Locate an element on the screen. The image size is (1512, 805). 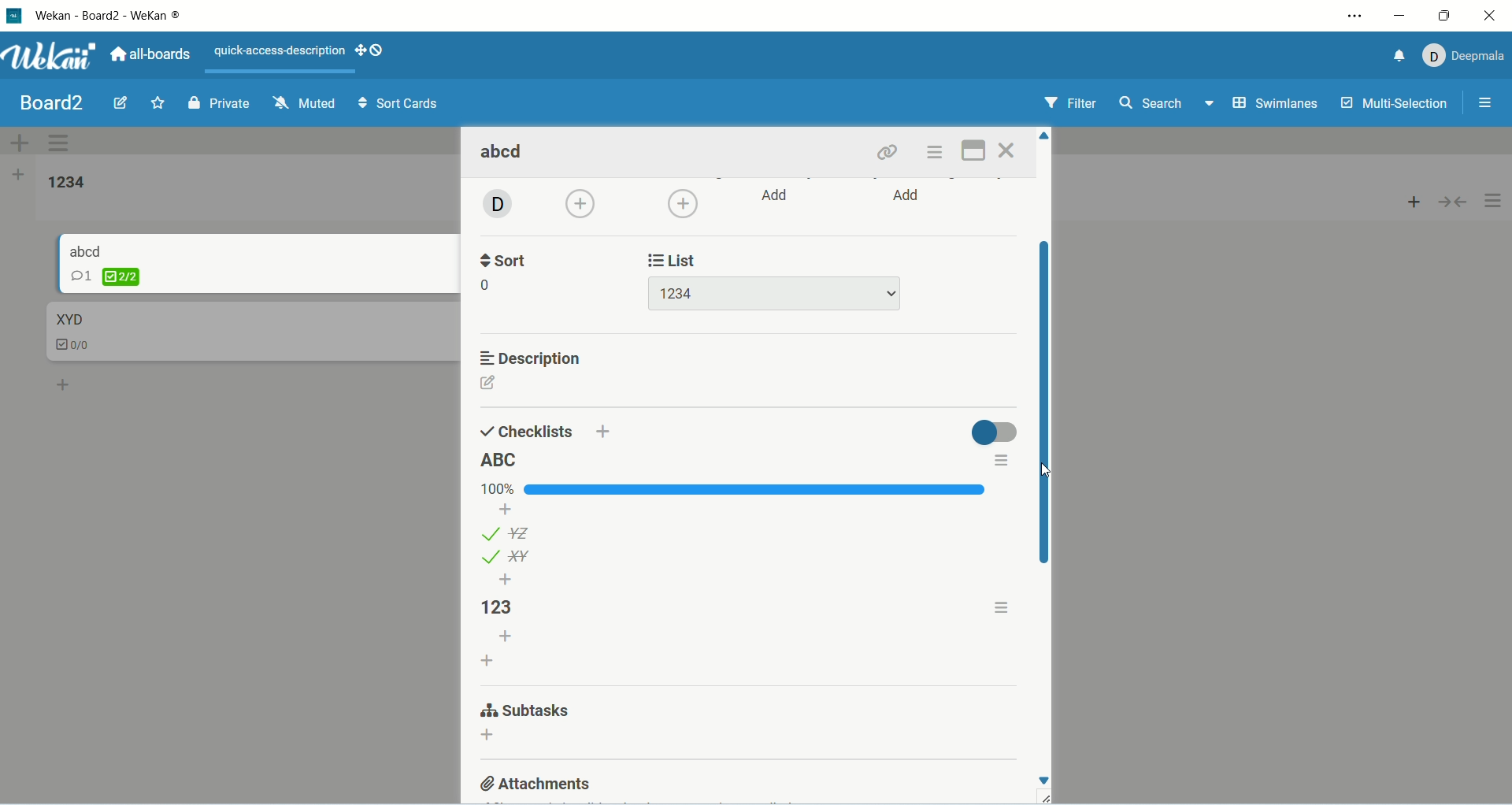
collapse is located at coordinates (1456, 204).